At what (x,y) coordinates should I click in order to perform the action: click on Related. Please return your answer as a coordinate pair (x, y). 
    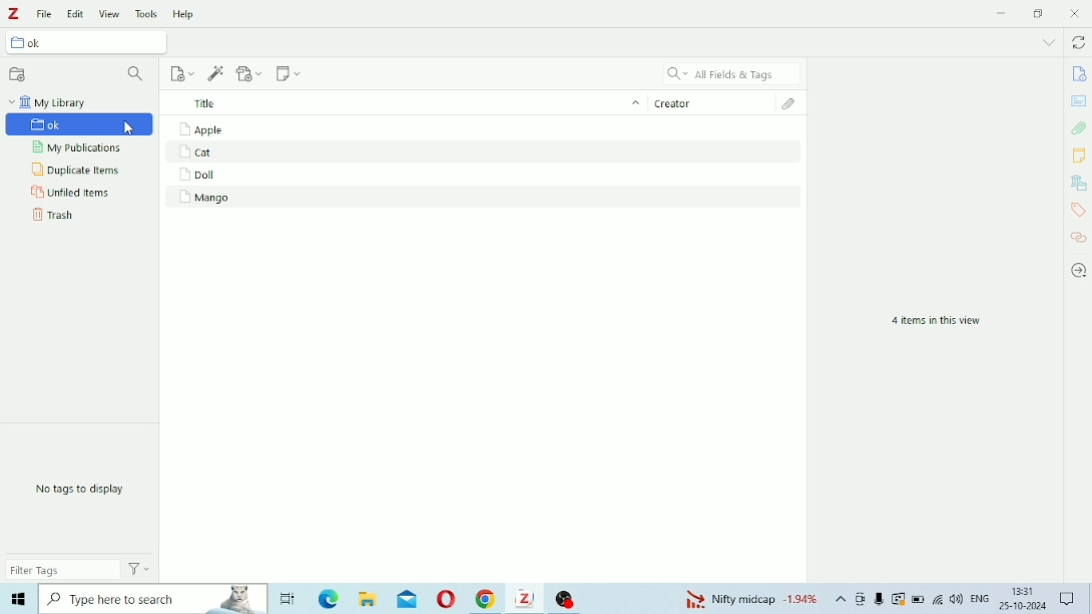
    Looking at the image, I should click on (1080, 237).